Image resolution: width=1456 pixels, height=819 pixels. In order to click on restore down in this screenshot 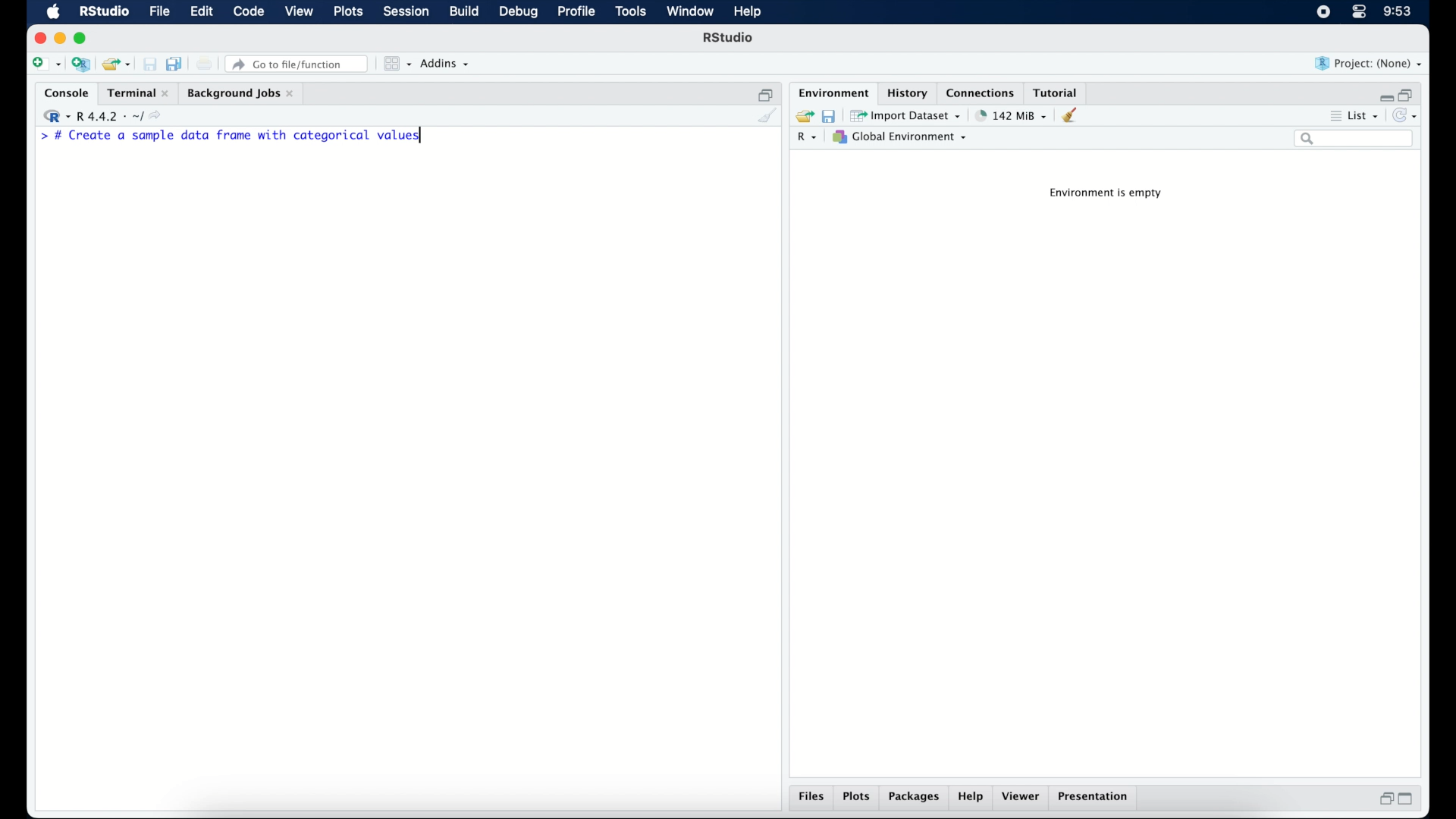, I will do `click(1384, 799)`.